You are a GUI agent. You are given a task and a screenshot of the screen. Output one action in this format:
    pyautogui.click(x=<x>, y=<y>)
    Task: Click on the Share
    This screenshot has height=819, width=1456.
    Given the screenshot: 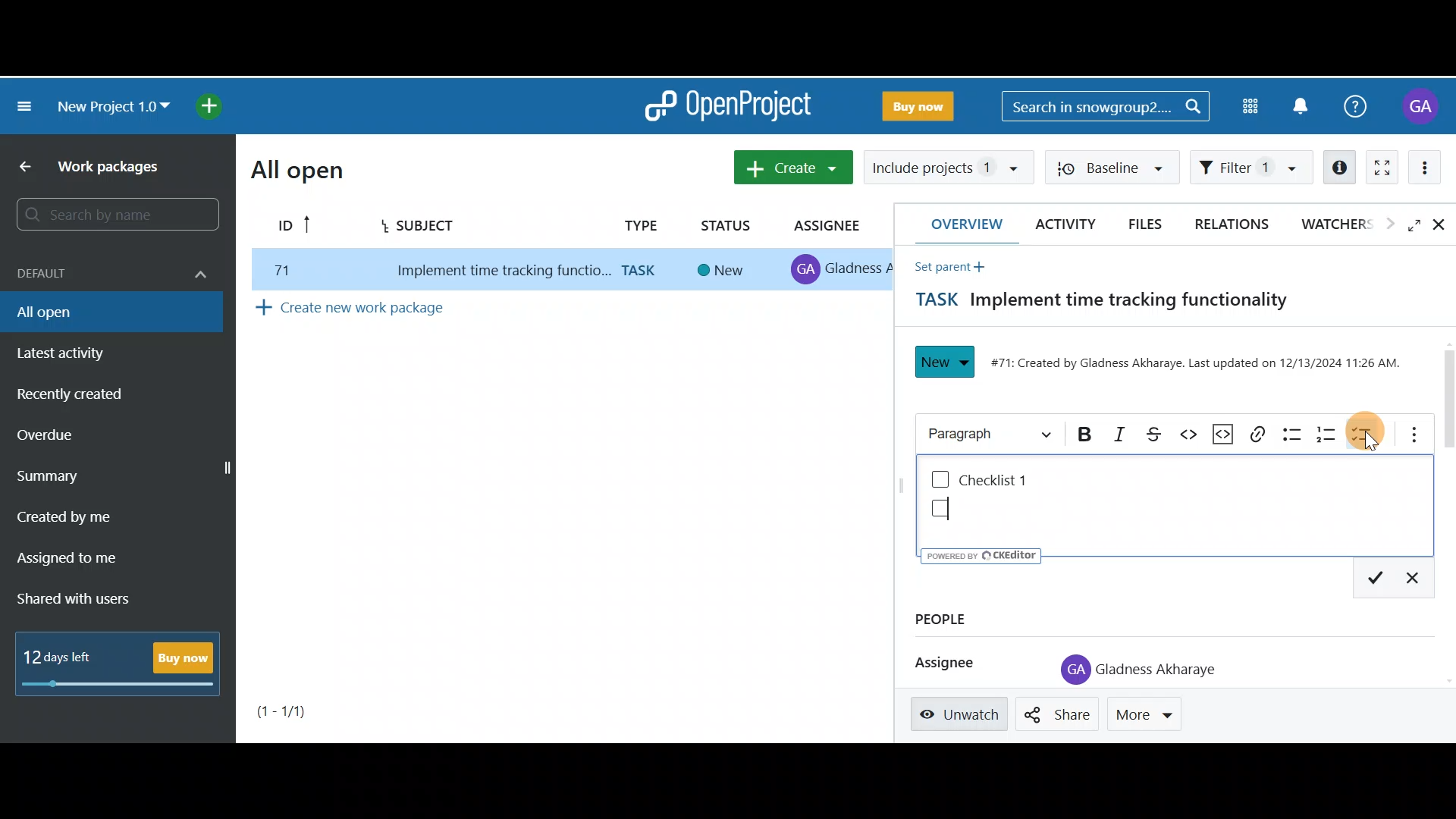 What is the action you would take?
    pyautogui.click(x=1059, y=714)
    